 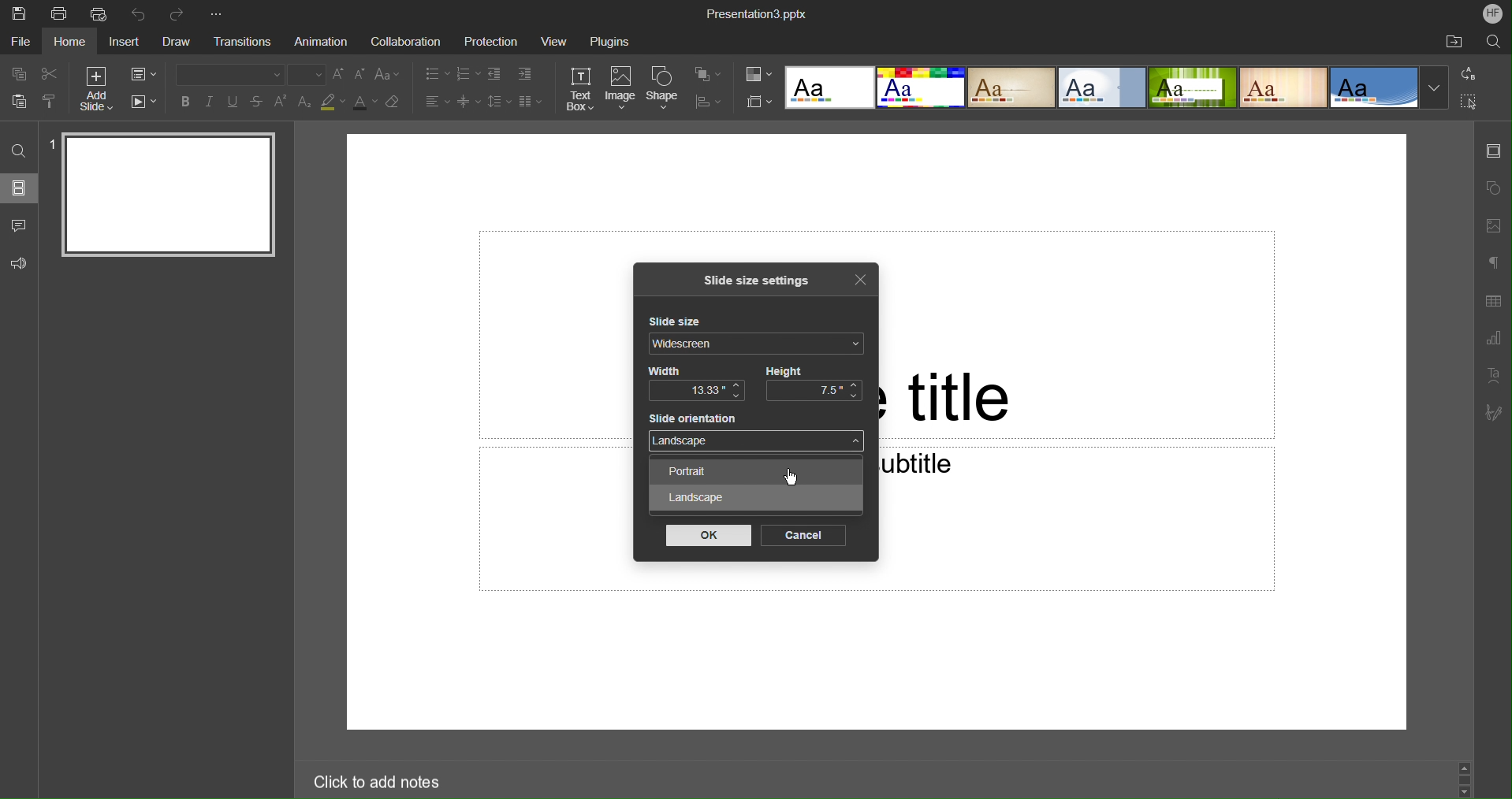 What do you see at coordinates (370, 779) in the screenshot?
I see `Click to add notes` at bounding box center [370, 779].